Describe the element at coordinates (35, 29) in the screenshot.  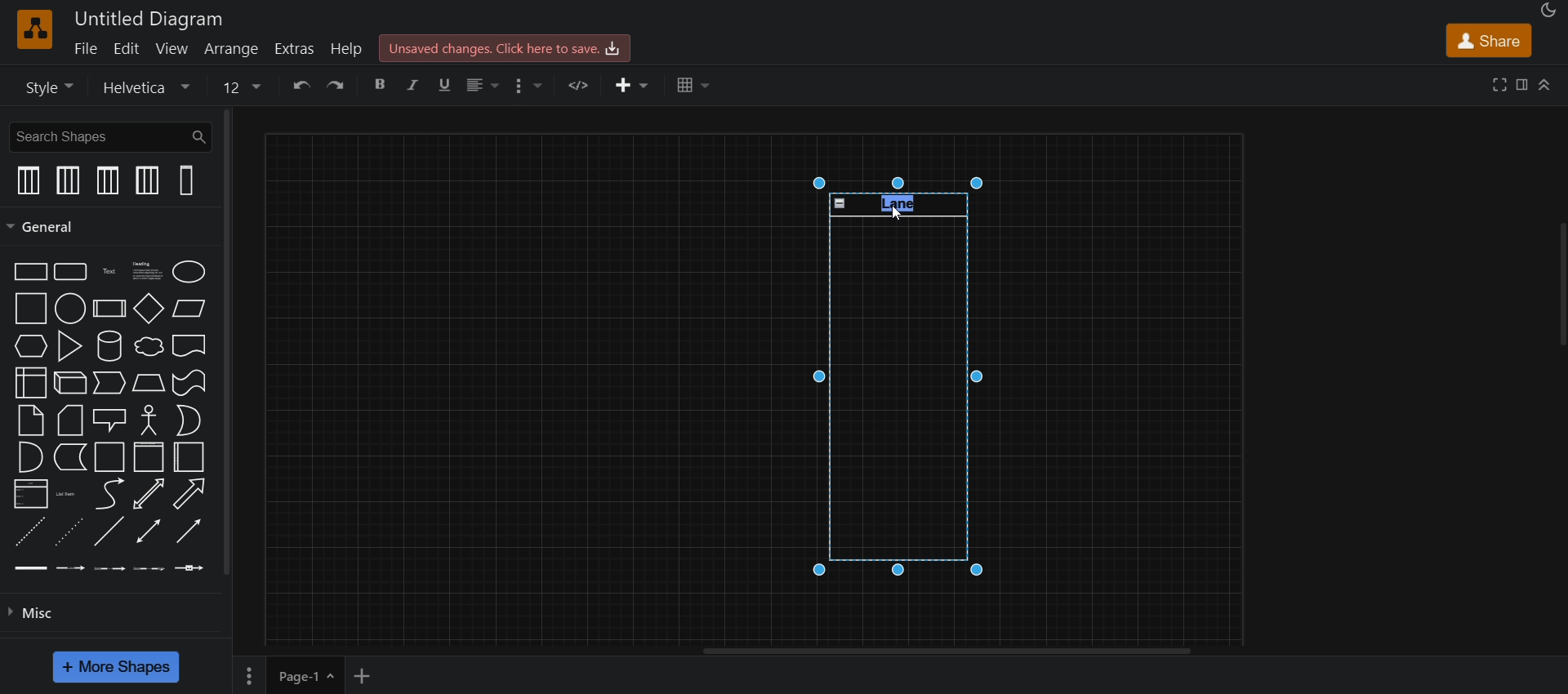
I see `logo` at that location.